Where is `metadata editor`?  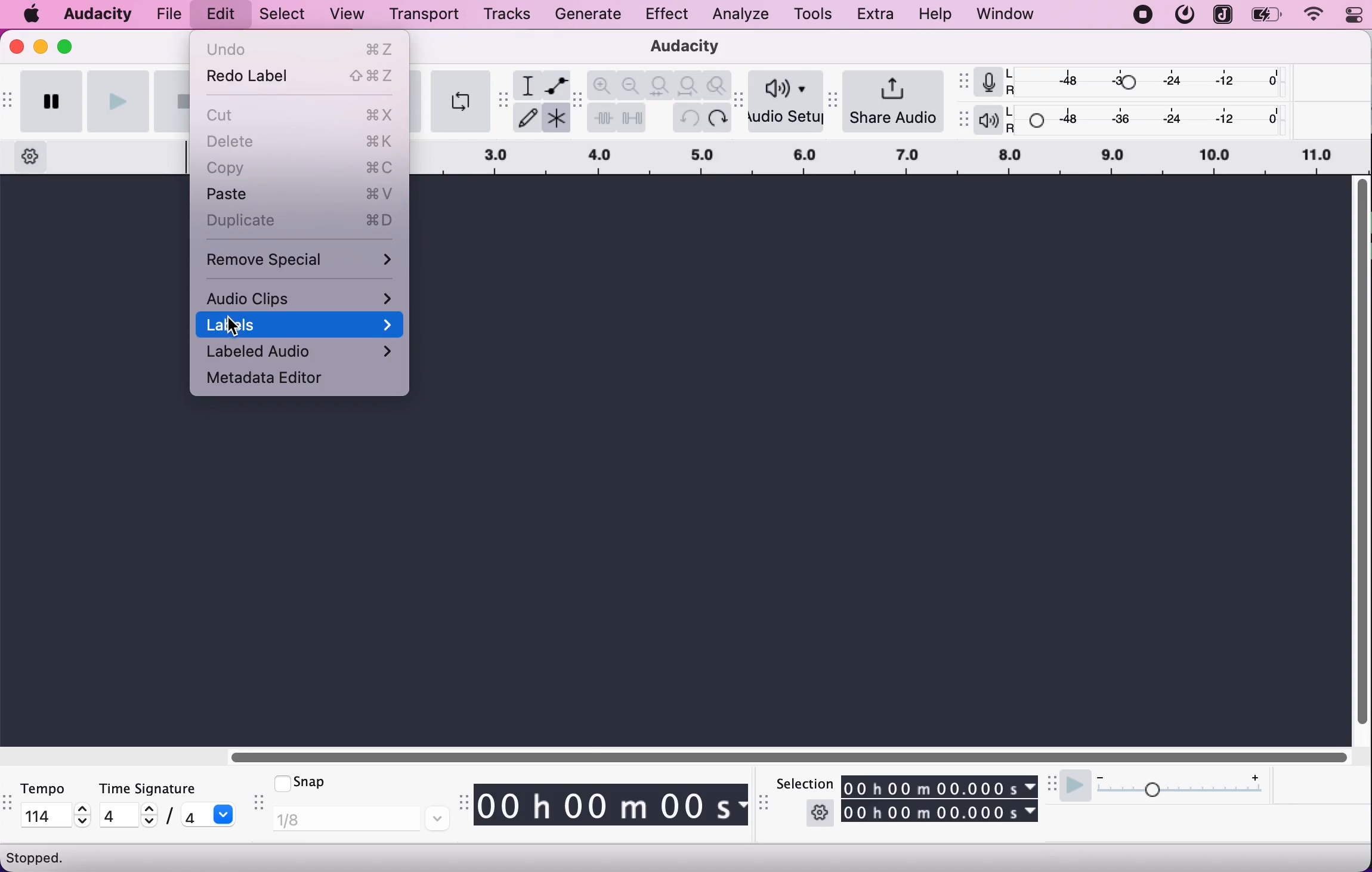
metadata editor is located at coordinates (280, 380).